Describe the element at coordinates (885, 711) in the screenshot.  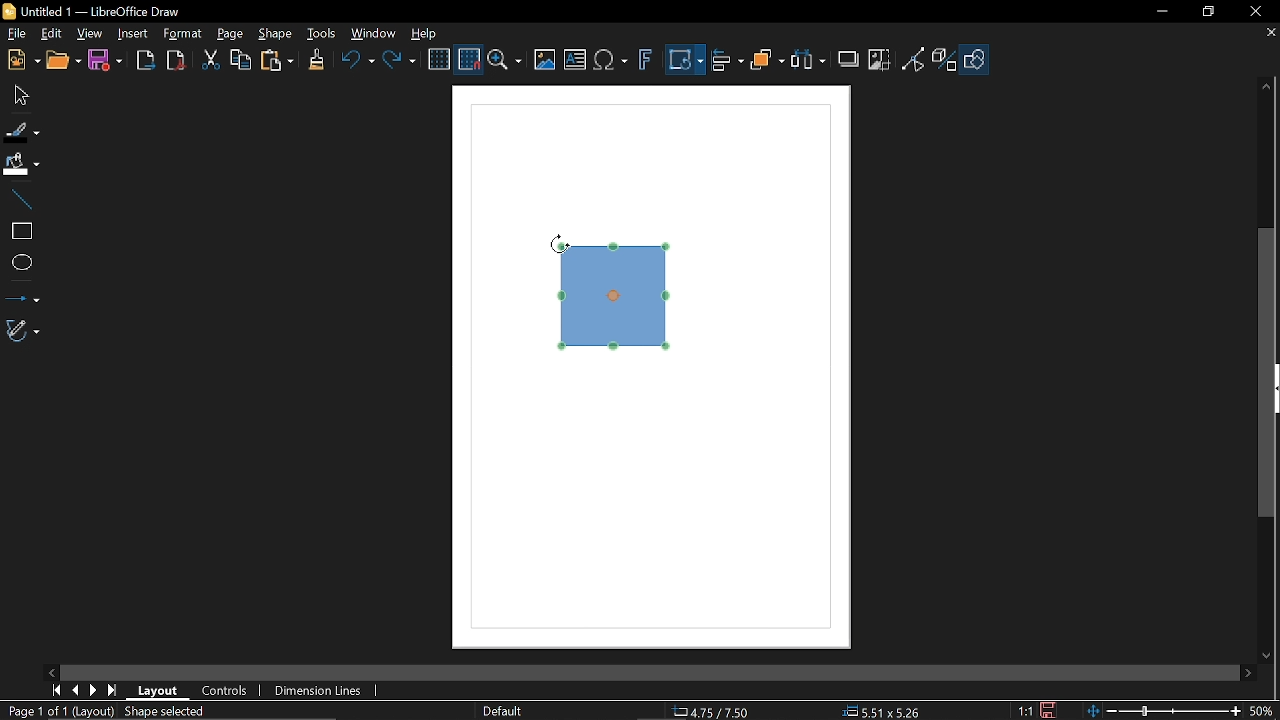
I see `5.51x5.26 (object size )` at that location.